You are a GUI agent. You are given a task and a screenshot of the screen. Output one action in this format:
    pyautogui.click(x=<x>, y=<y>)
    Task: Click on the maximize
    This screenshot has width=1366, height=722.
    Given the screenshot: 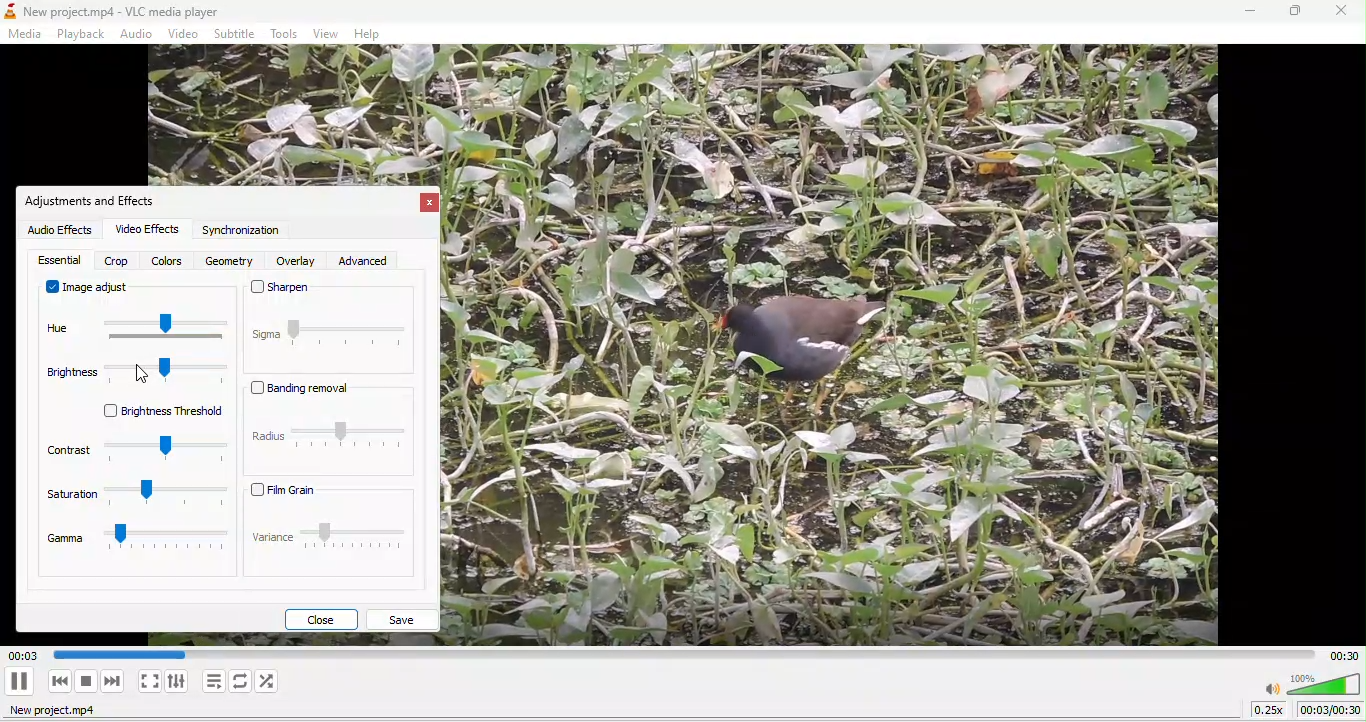 What is the action you would take?
    pyautogui.click(x=1293, y=12)
    